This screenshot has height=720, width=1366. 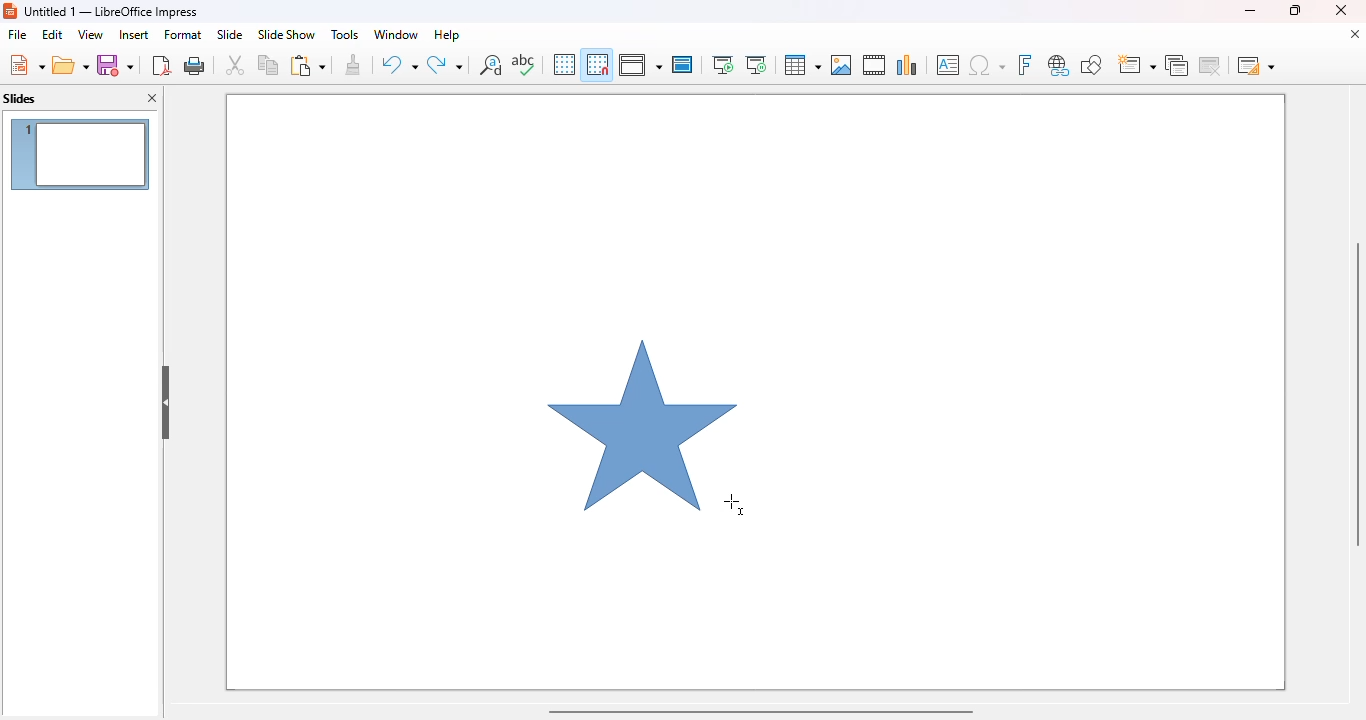 What do you see at coordinates (1249, 10) in the screenshot?
I see `minimize` at bounding box center [1249, 10].